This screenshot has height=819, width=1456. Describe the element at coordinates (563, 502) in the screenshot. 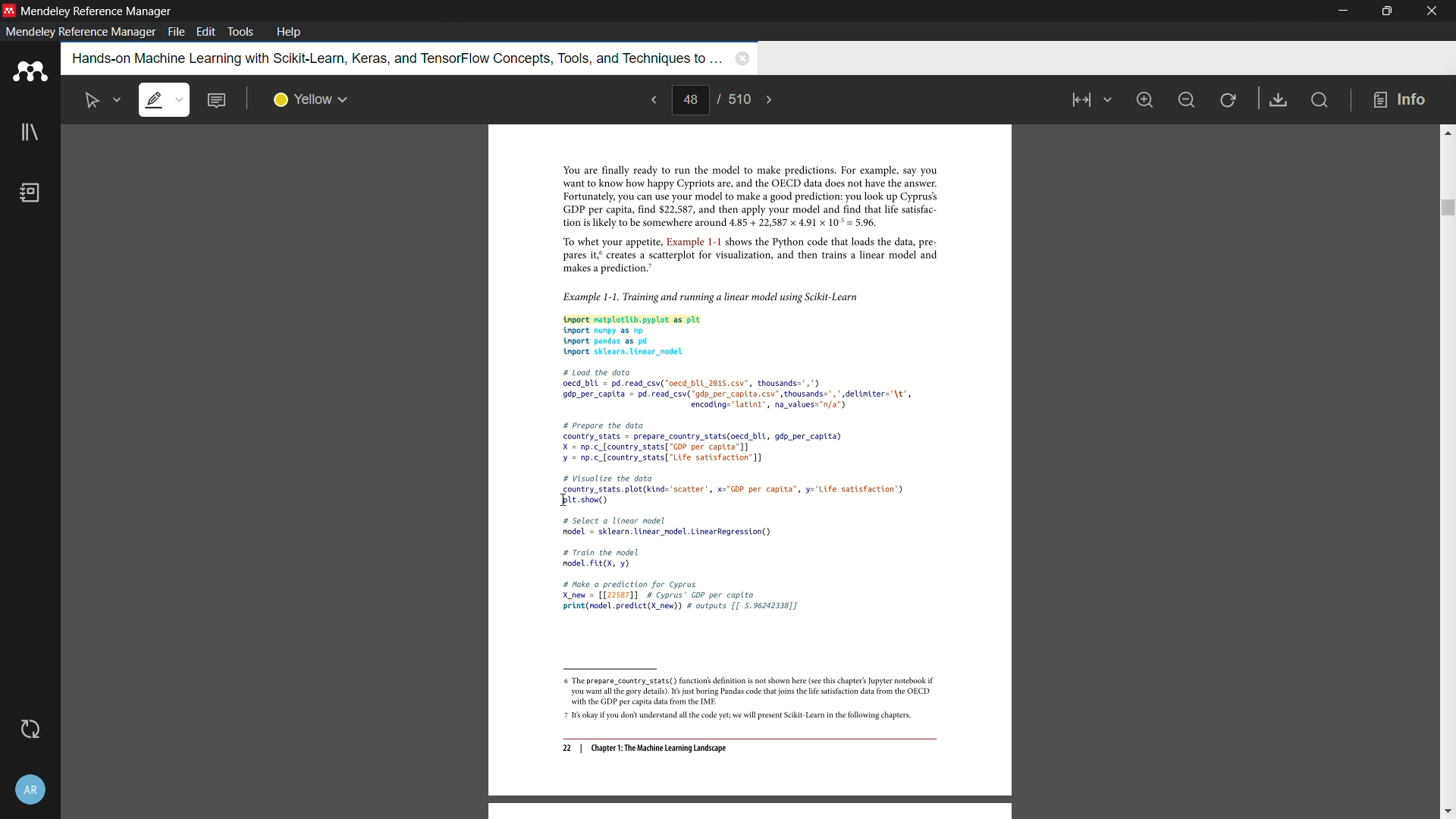

I see `cursor` at that location.